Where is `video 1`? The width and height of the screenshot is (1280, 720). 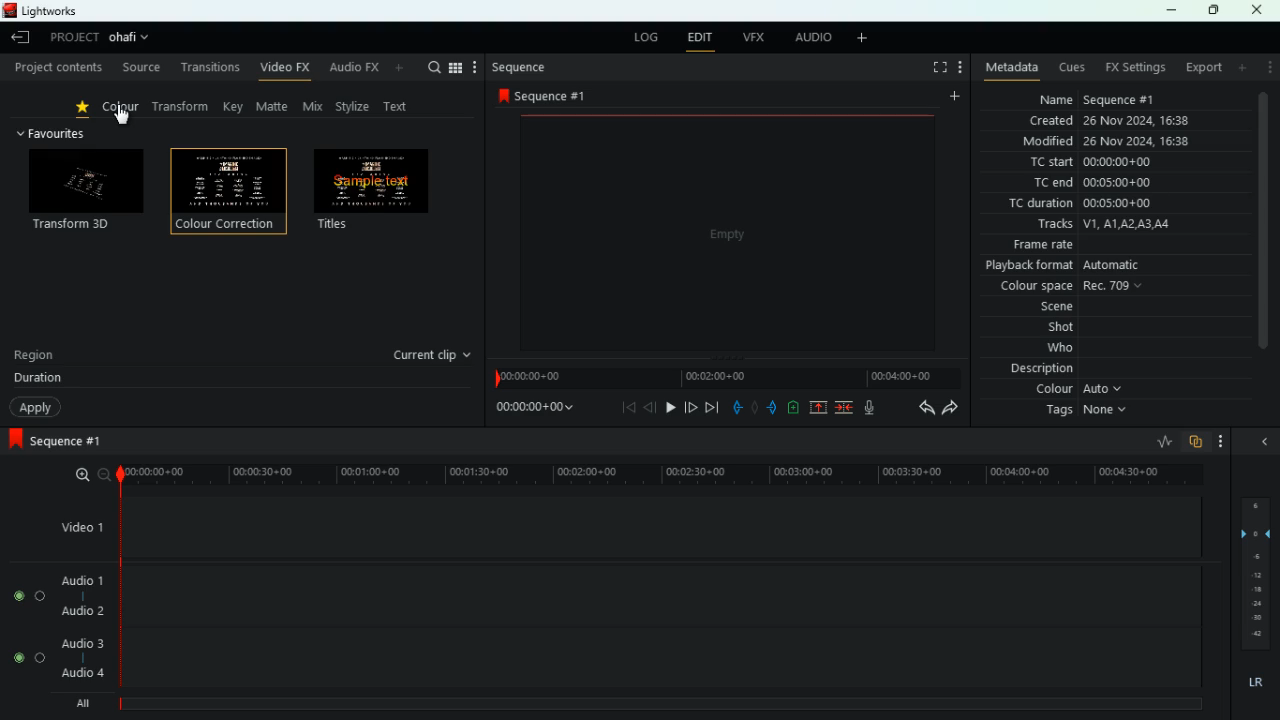
video 1 is located at coordinates (78, 526).